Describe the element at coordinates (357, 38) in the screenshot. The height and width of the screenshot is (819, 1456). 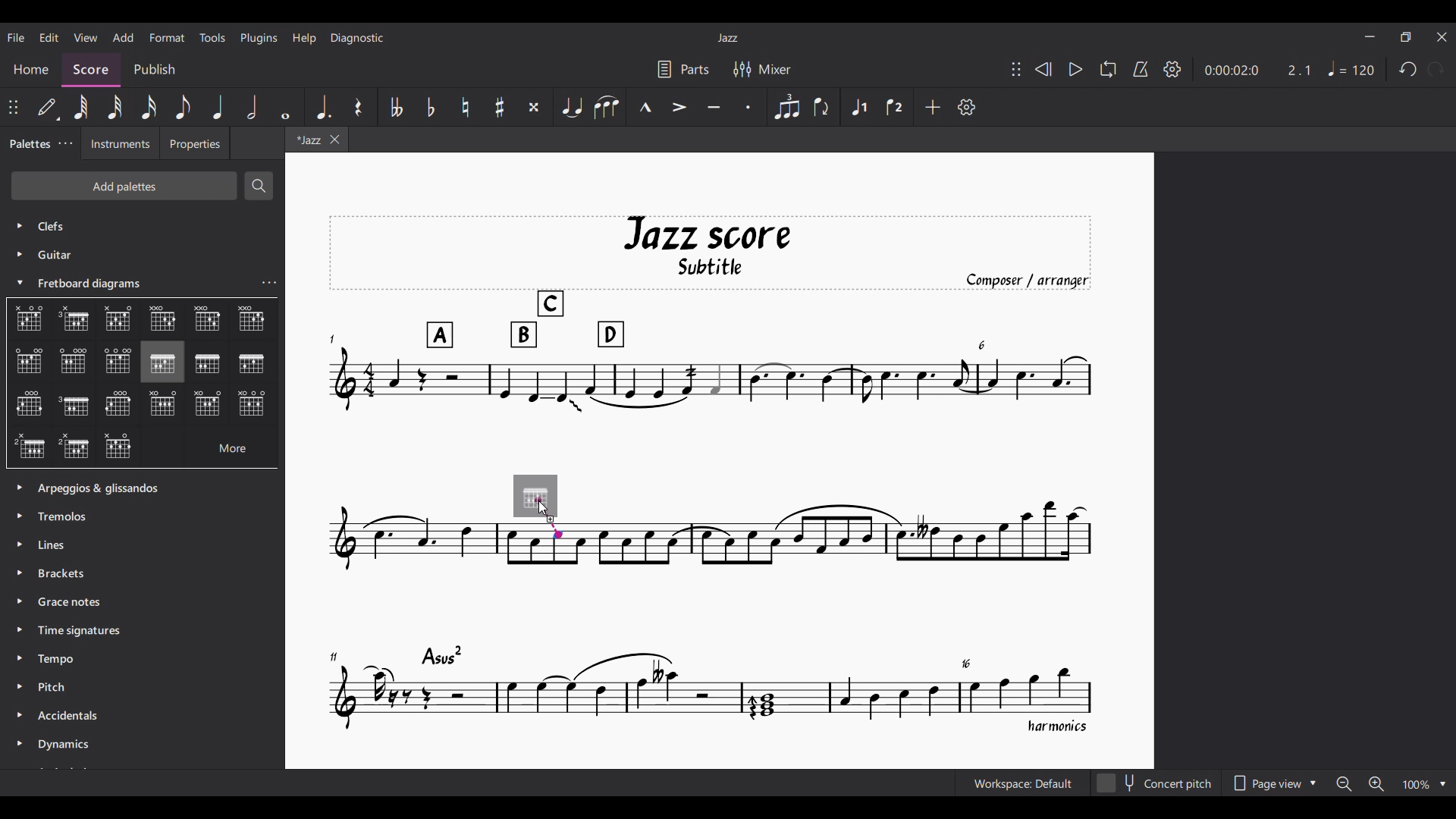
I see `Diagnostic menu` at that location.